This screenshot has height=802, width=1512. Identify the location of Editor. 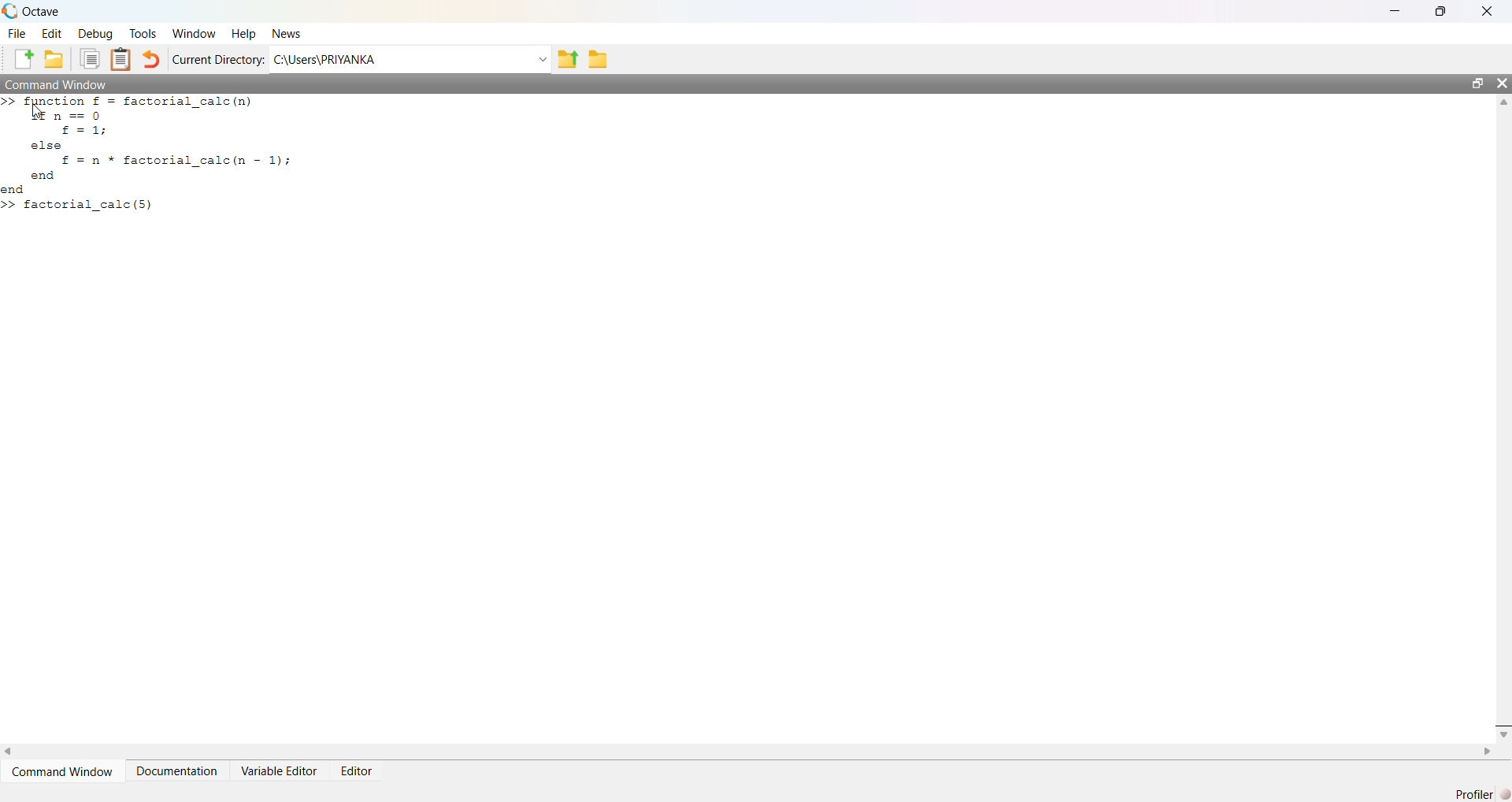
(358, 773).